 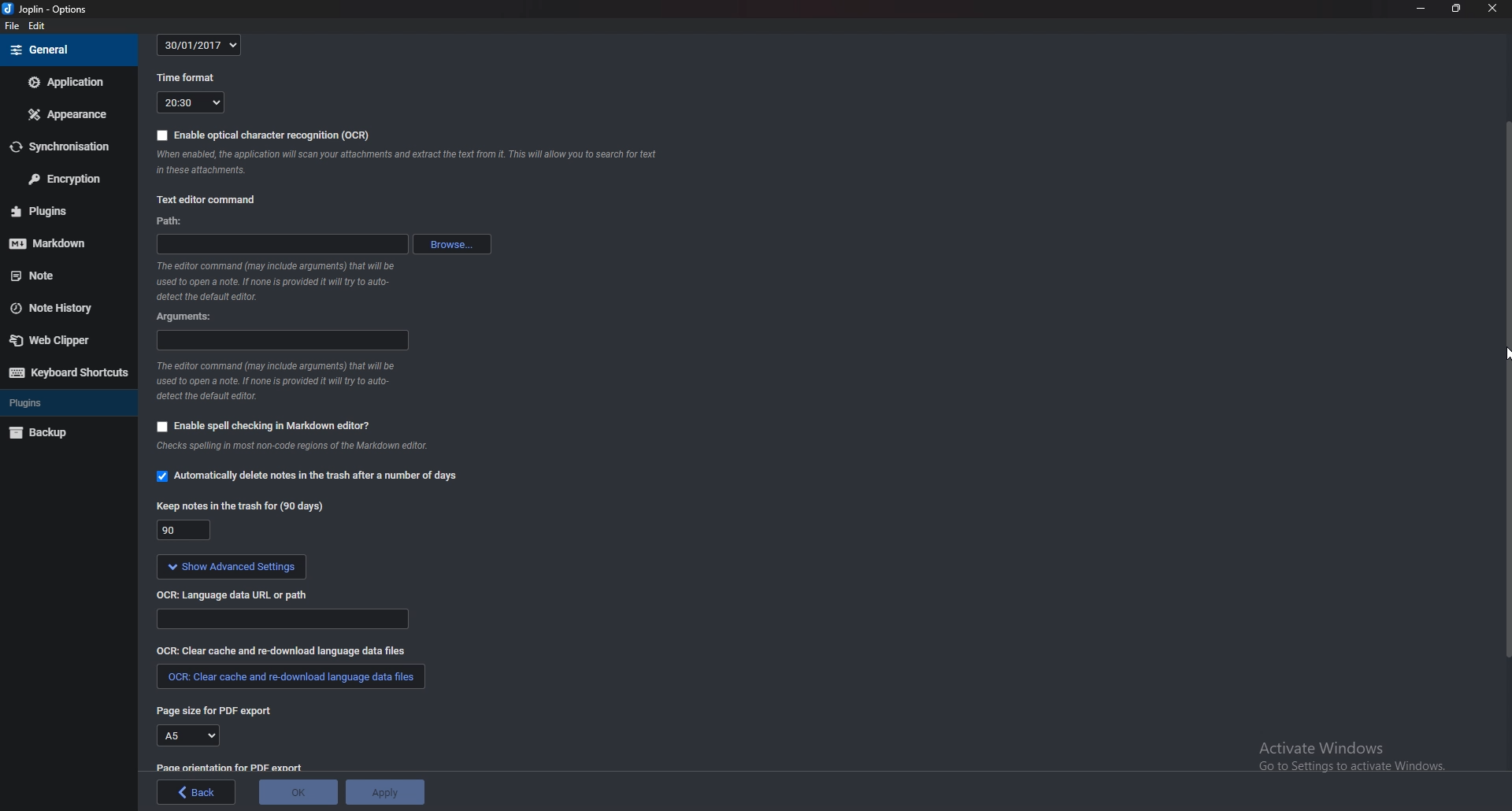 I want to click on Info on editor command, so click(x=279, y=381).